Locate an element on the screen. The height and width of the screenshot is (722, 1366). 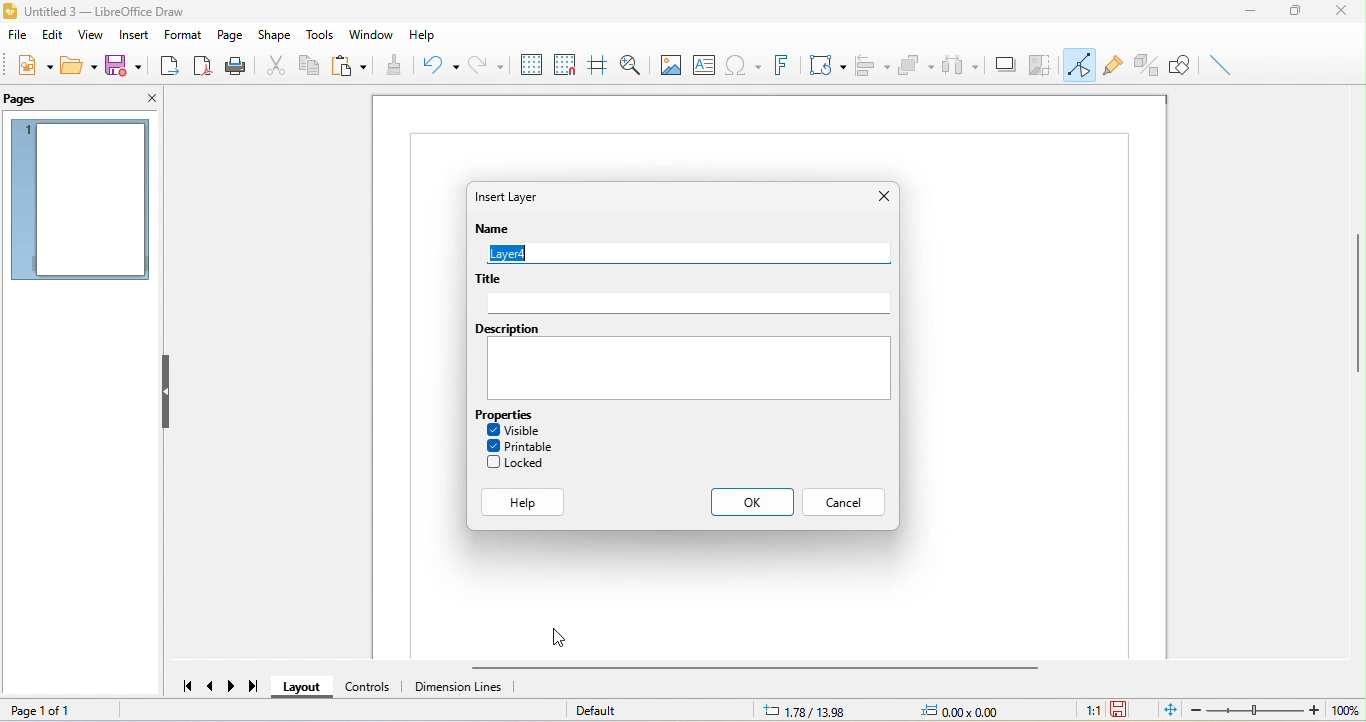
undo is located at coordinates (436, 64).